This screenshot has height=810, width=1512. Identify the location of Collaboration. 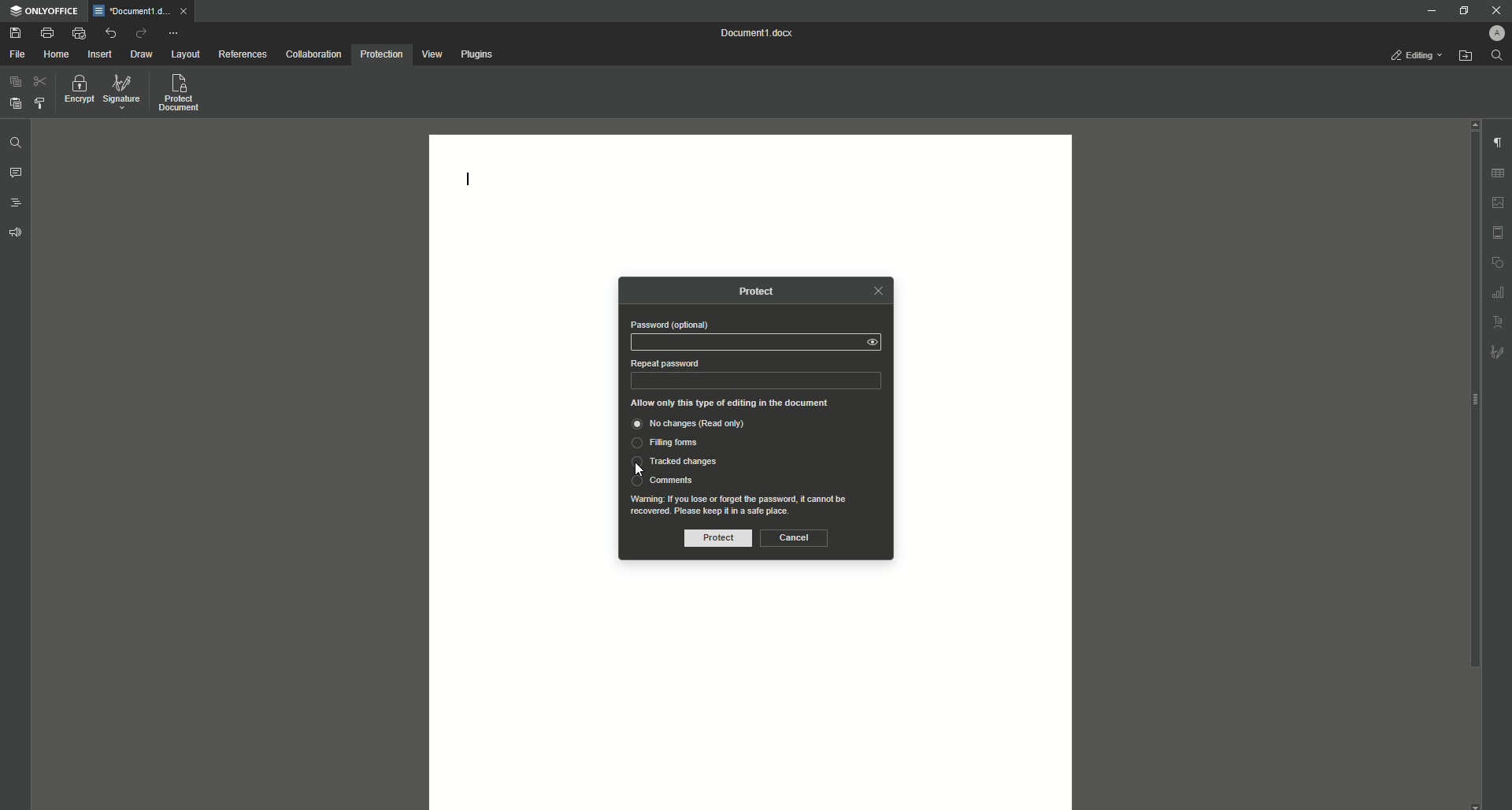
(312, 54).